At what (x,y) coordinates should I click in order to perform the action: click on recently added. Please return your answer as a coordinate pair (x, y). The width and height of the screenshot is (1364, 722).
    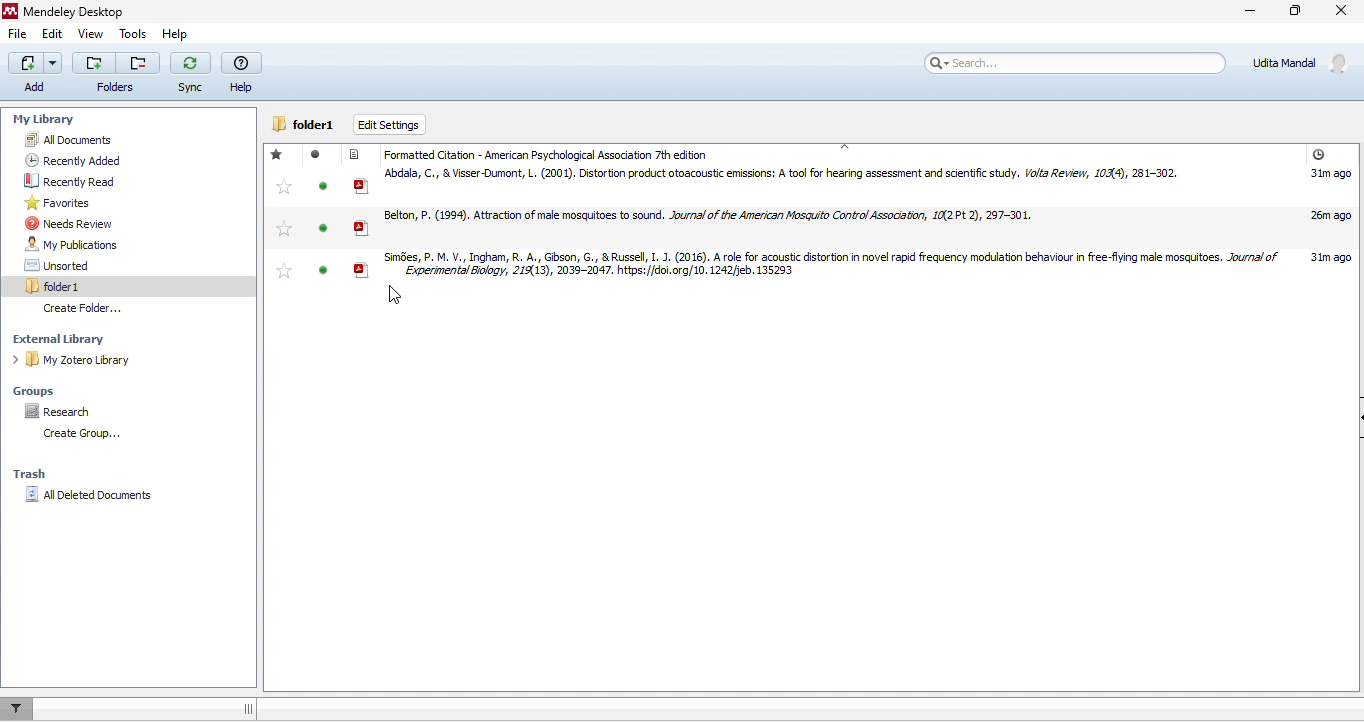
    Looking at the image, I should click on (66, 160).